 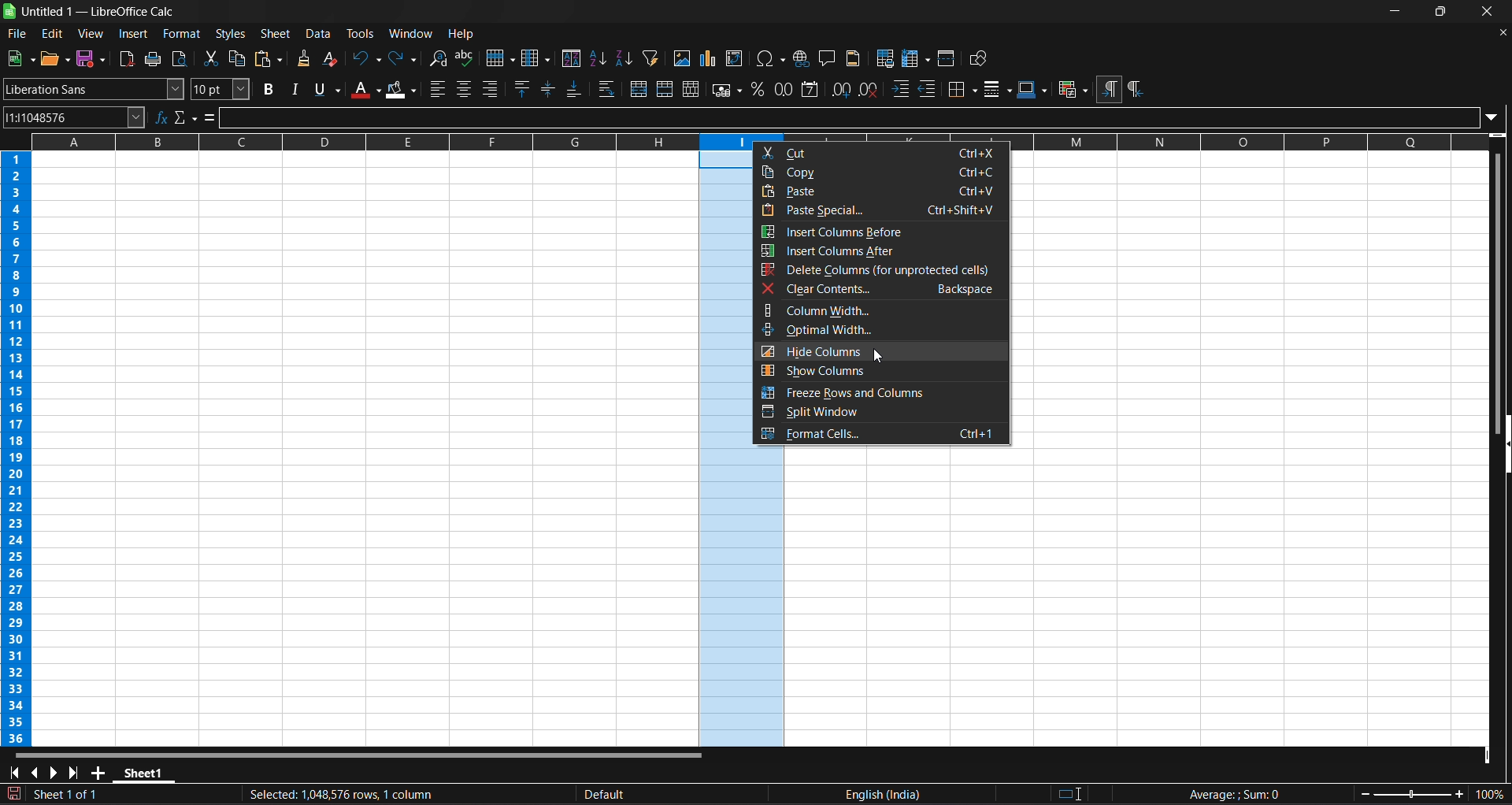 What do you see at coordinates (240, 58) in the screenshot?
I see `copy` at bounding box center [240, 58].